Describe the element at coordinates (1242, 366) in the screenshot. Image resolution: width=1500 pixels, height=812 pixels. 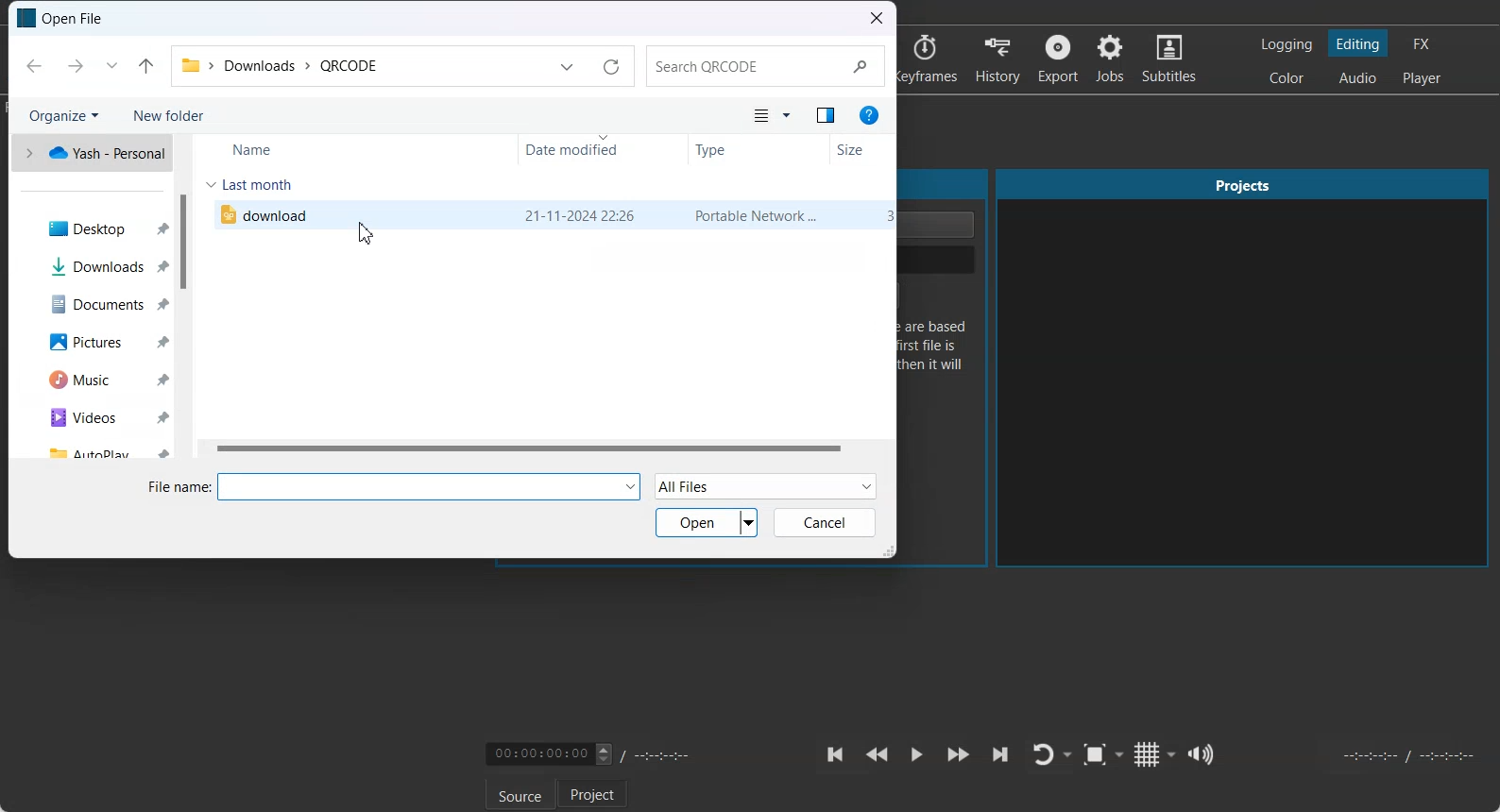
I see `Projects` at that location.